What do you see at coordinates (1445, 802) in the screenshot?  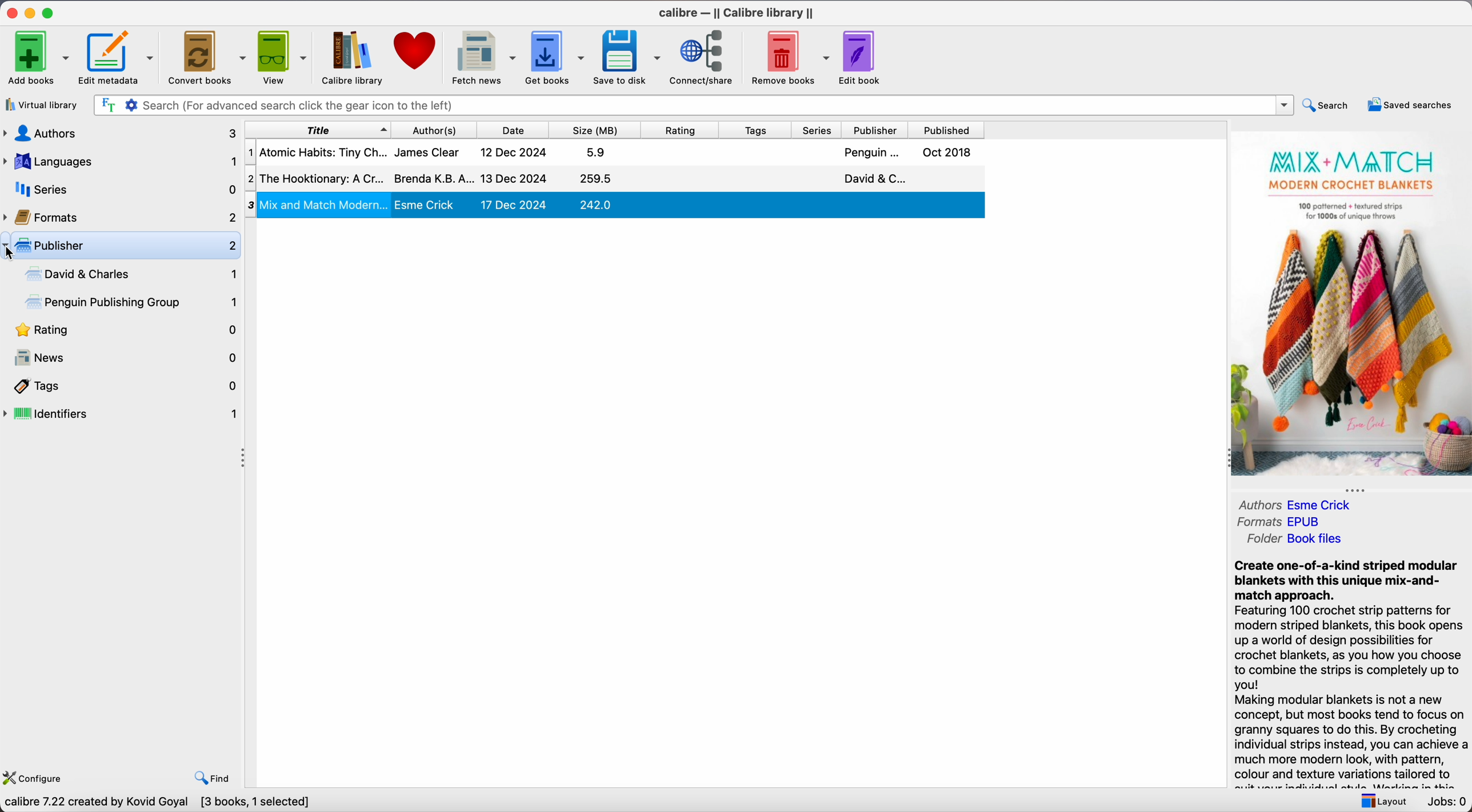 I see `Jobs: 0` at bounding box center [1445, 802].